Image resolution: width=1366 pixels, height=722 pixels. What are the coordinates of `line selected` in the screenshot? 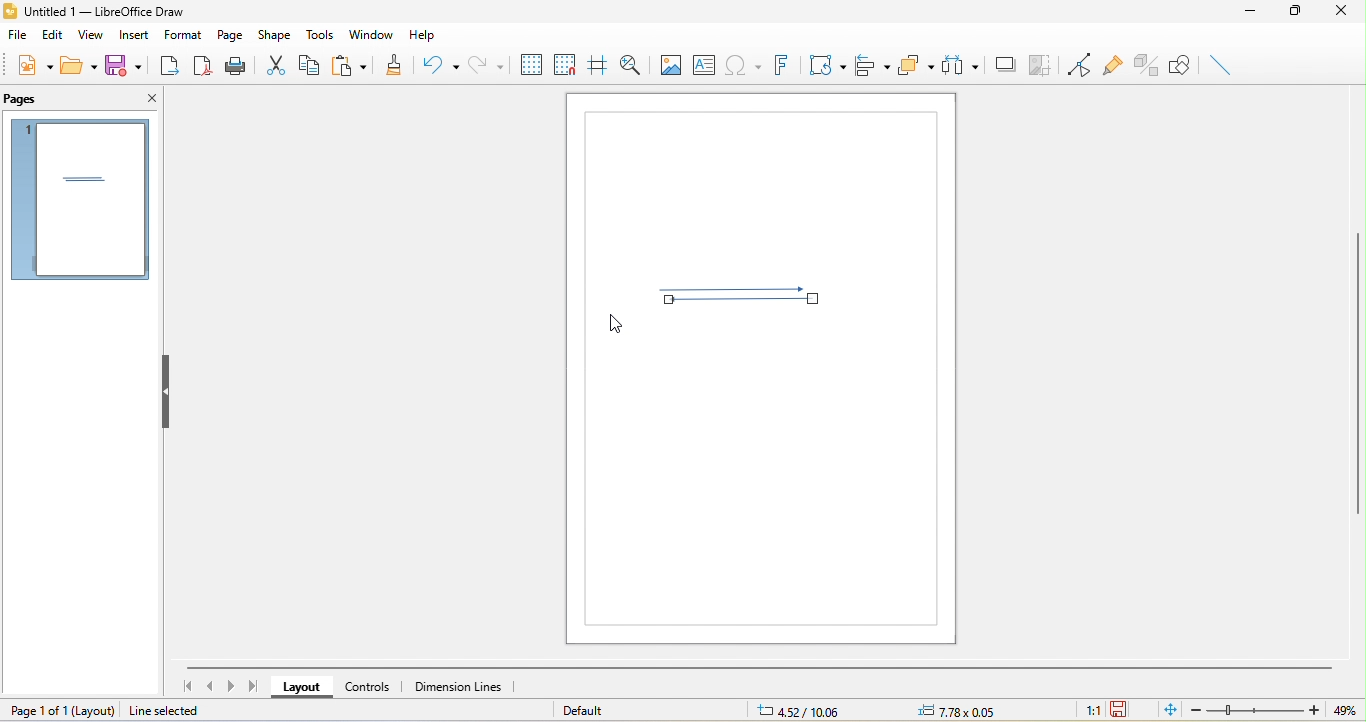 It's located at (178, 711).